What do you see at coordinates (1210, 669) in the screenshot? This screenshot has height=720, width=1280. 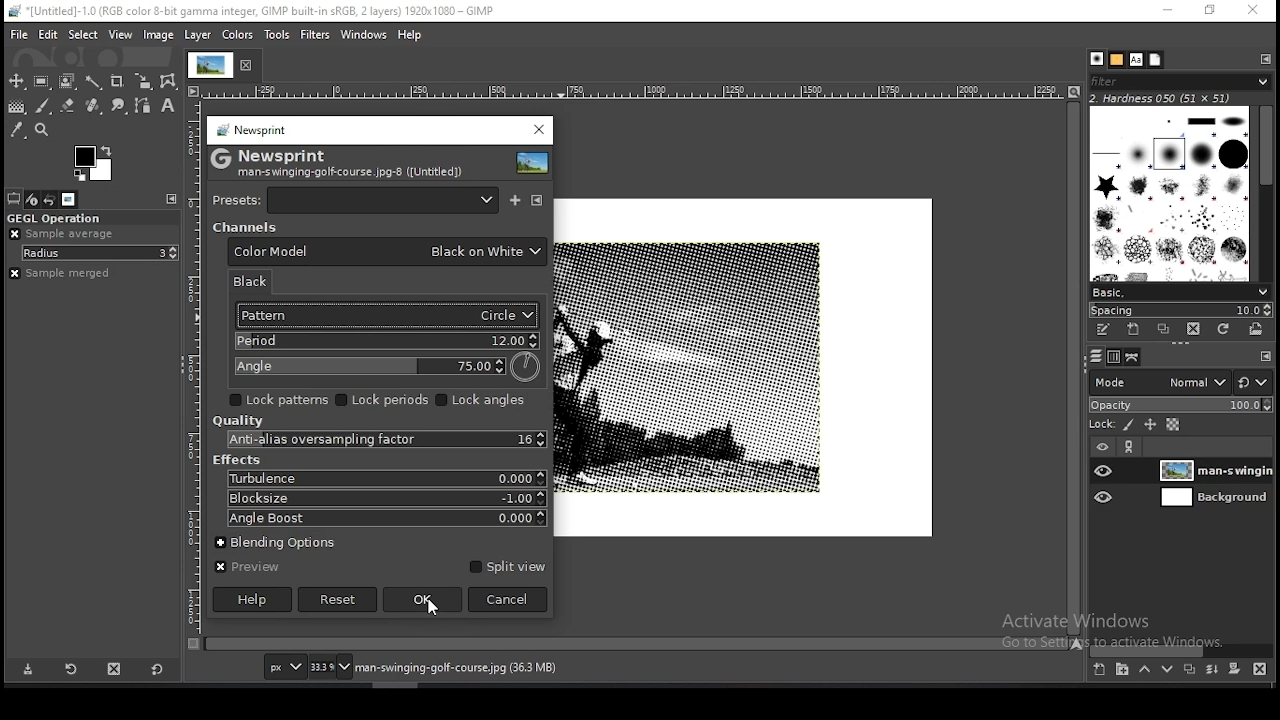 I see `merge layers` at bounding box center [1210, 669].